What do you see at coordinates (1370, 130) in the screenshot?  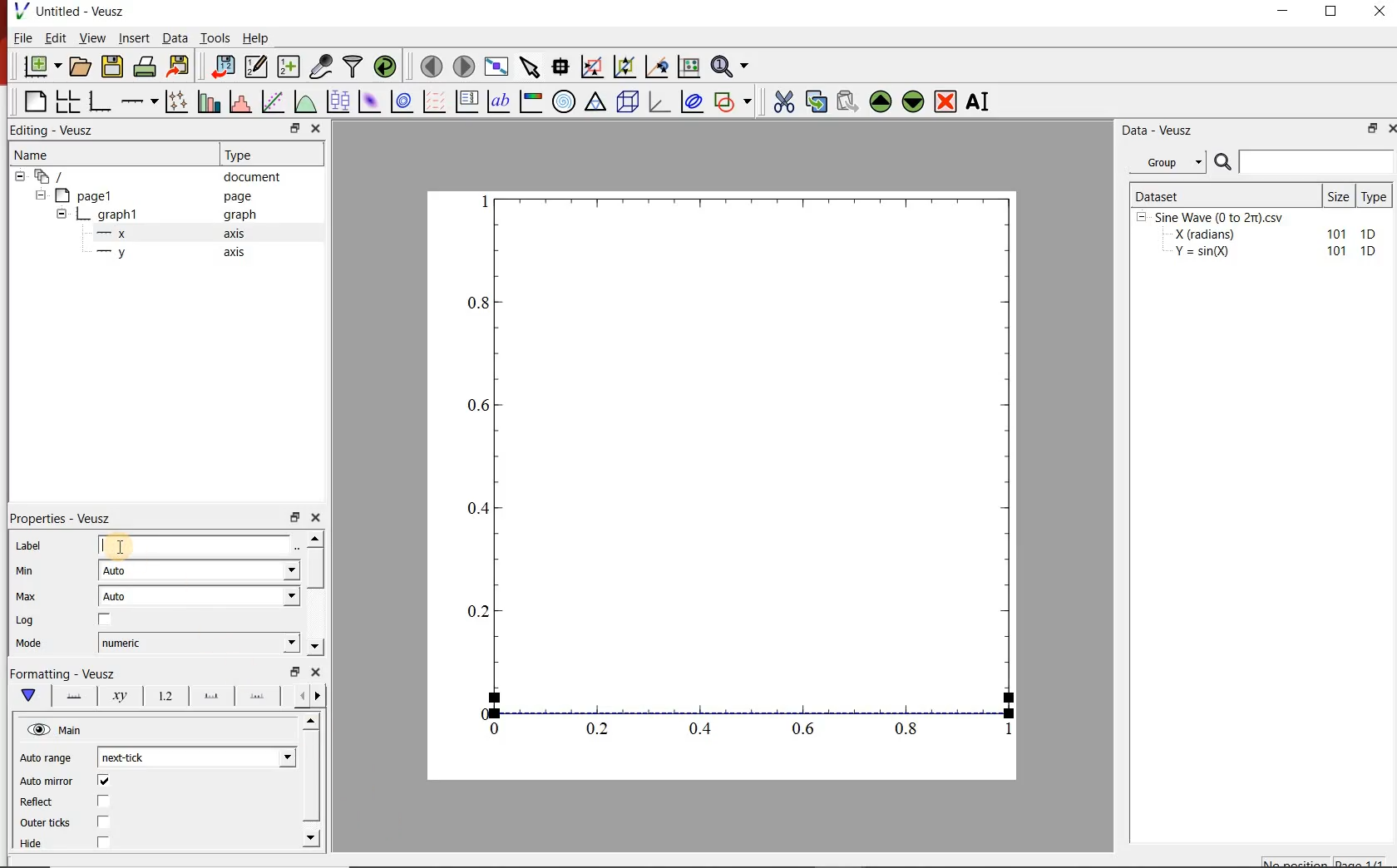 I see `Min/Max` at bounding box center [1370, 130].